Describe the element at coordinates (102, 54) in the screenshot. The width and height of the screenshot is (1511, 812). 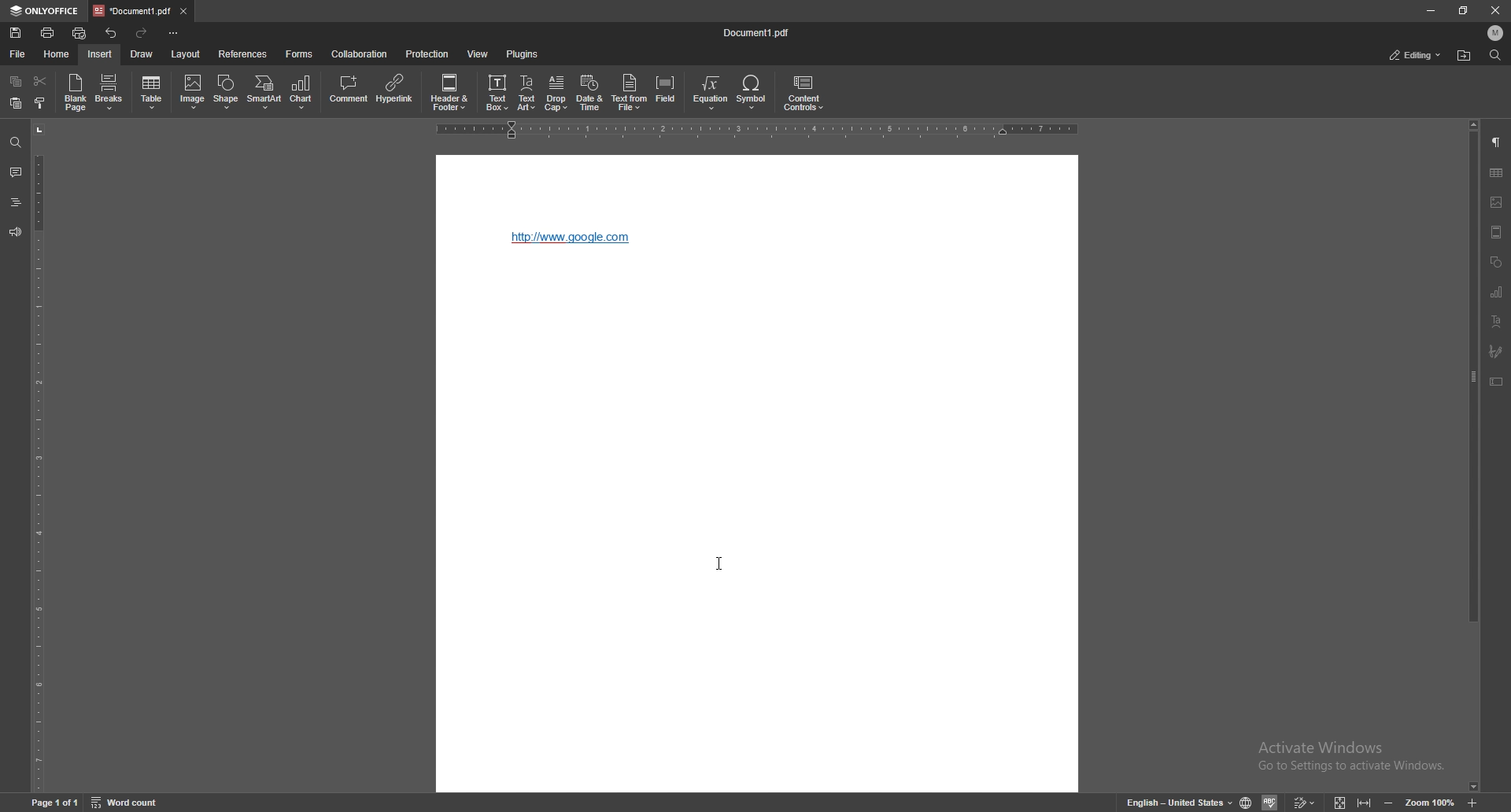
I see `insert` at that location.